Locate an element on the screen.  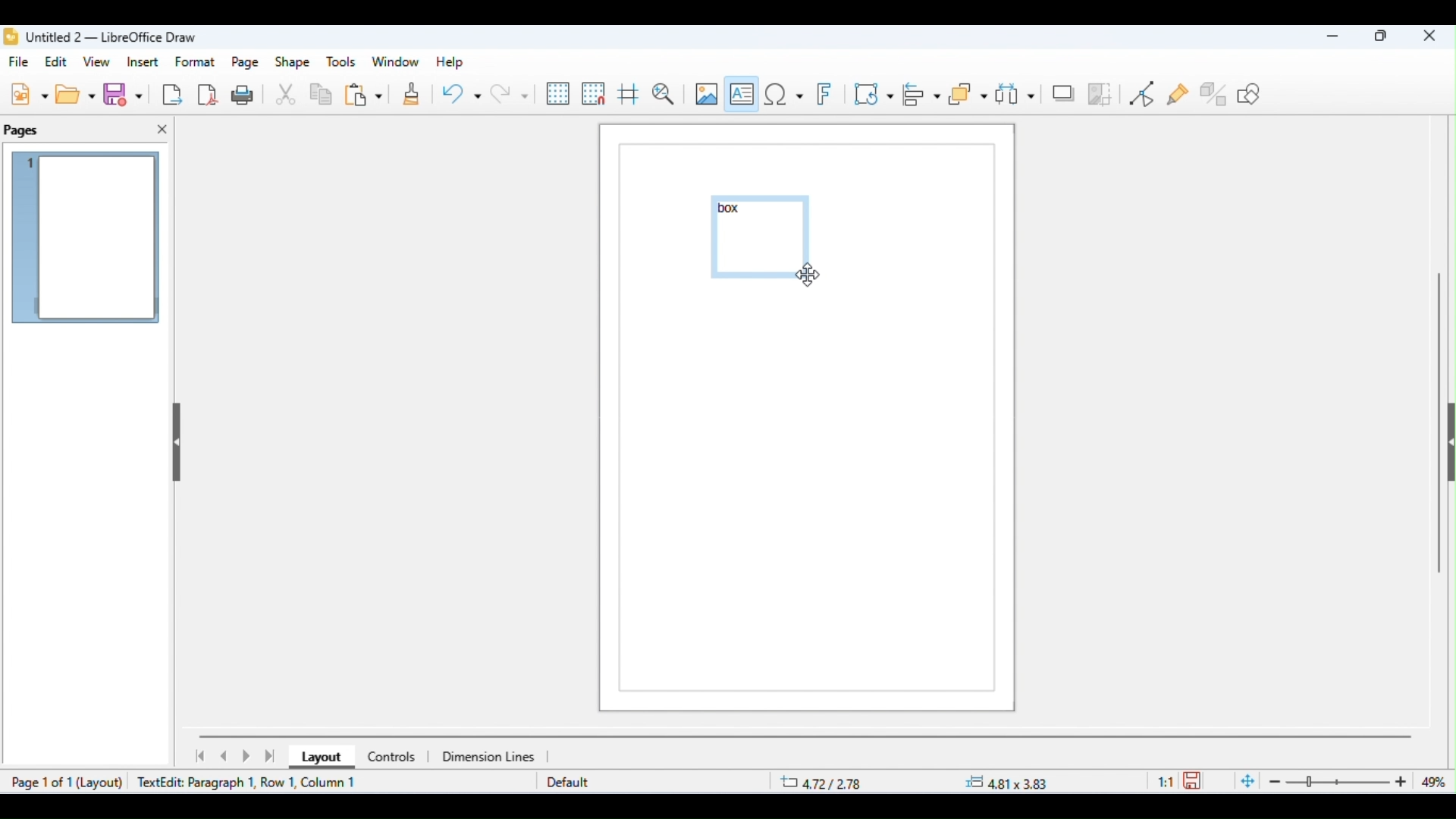
close is located at coordinates (1429, 37).